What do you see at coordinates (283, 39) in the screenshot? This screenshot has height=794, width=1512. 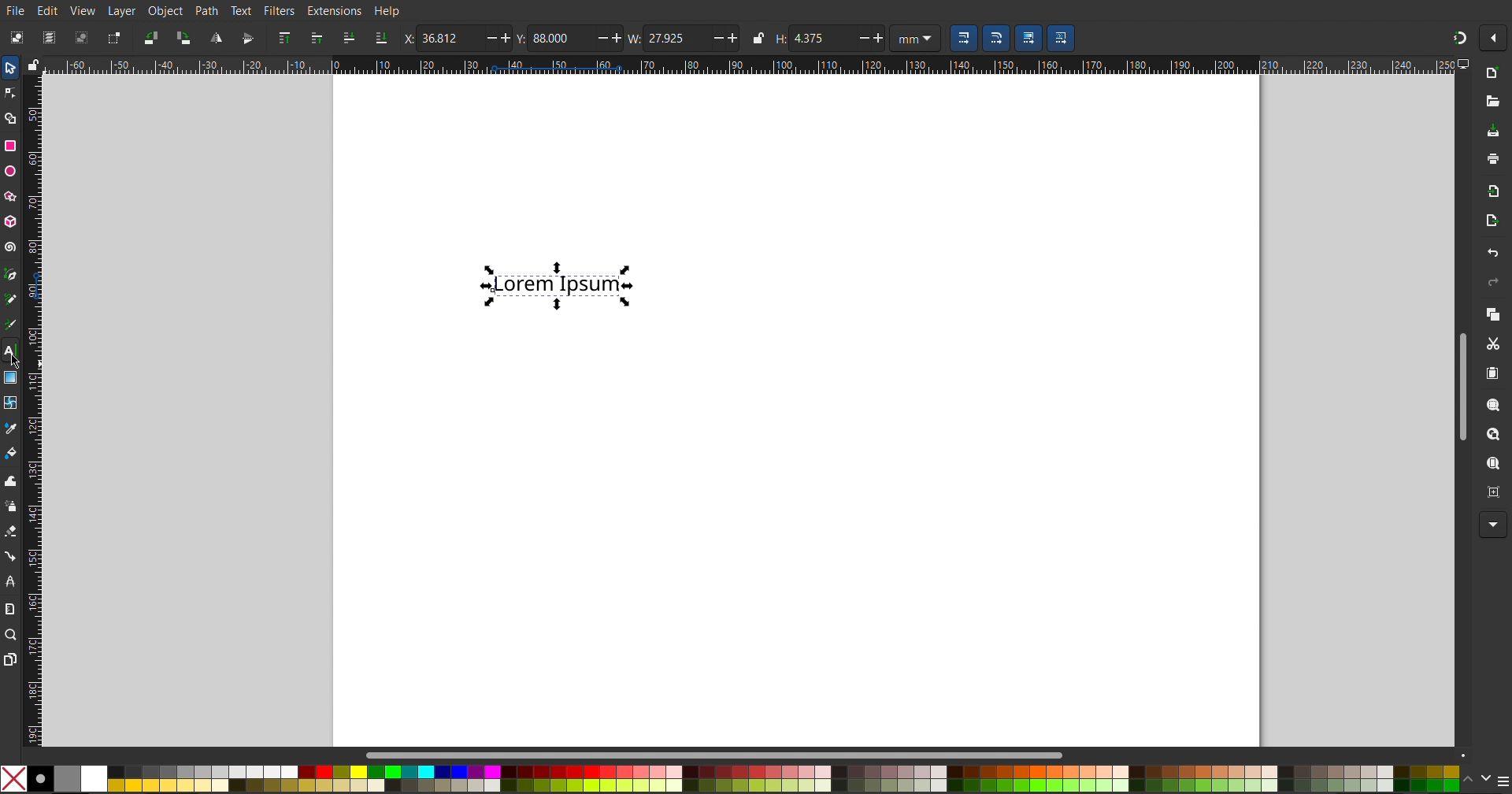 I see `Raise selection to the top` at bounding box center [283, 39].